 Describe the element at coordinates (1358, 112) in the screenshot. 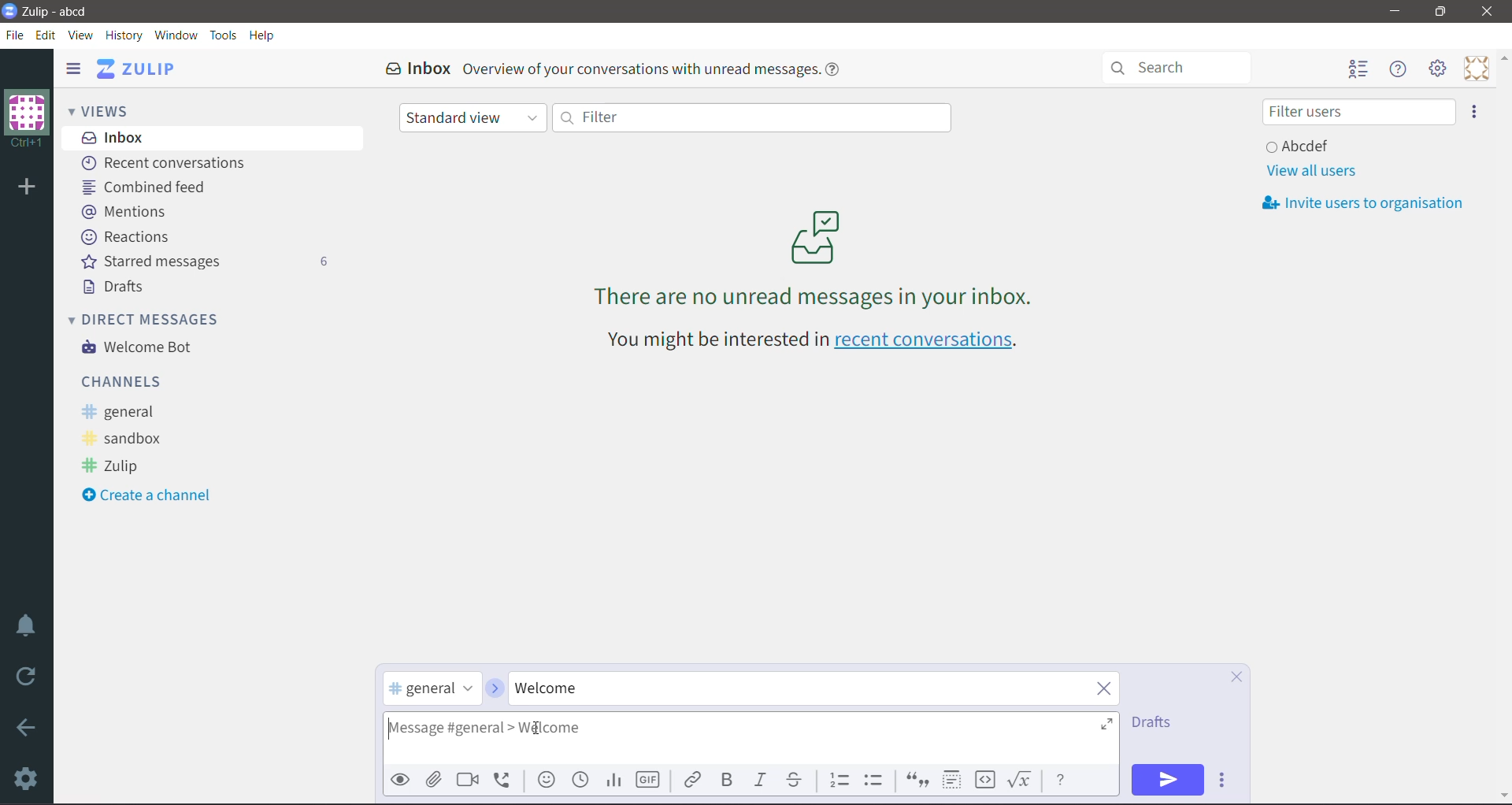

I see `Filter users` at that location.